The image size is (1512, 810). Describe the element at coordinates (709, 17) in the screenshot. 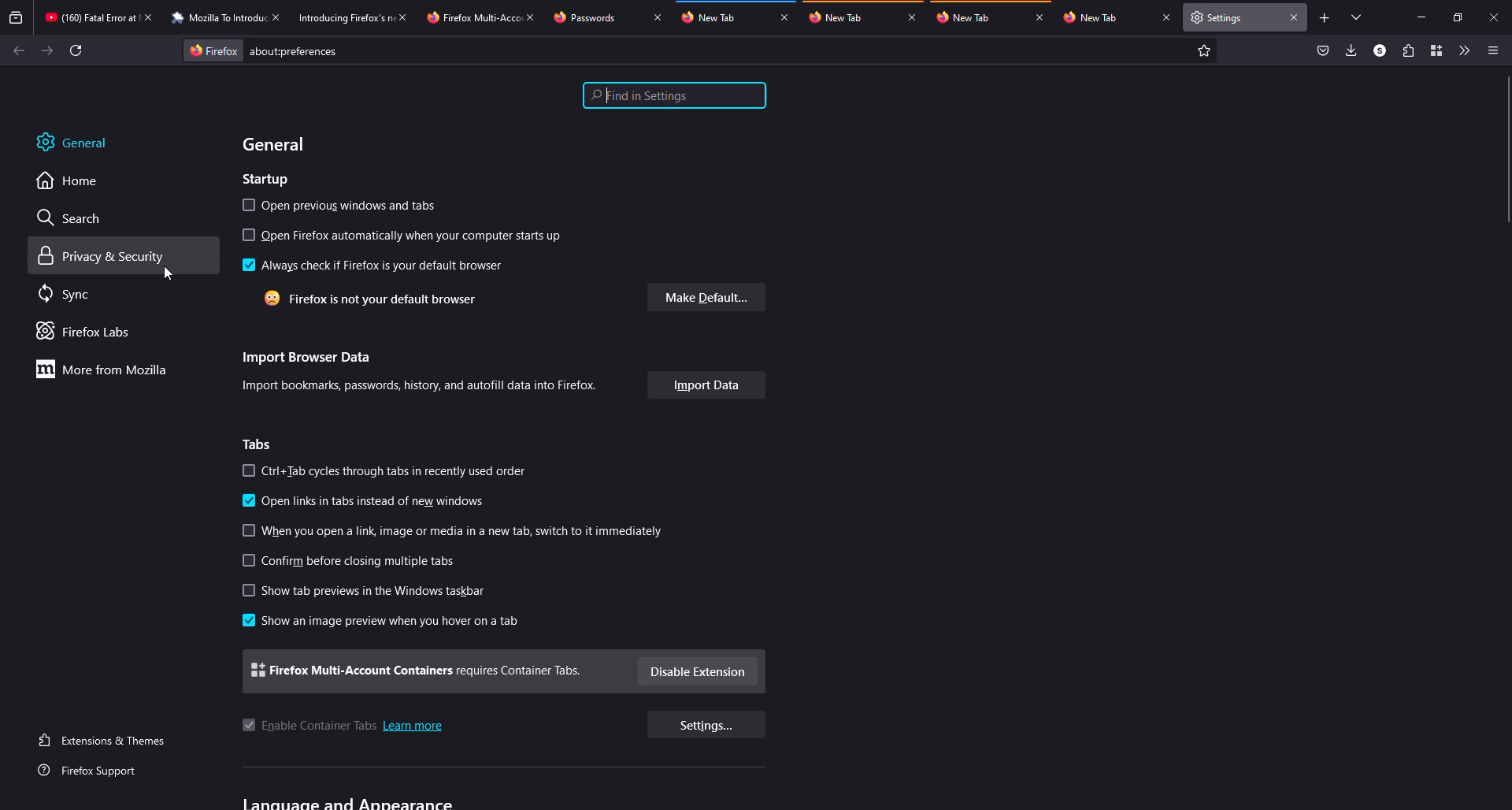

I see `tab` at that location.